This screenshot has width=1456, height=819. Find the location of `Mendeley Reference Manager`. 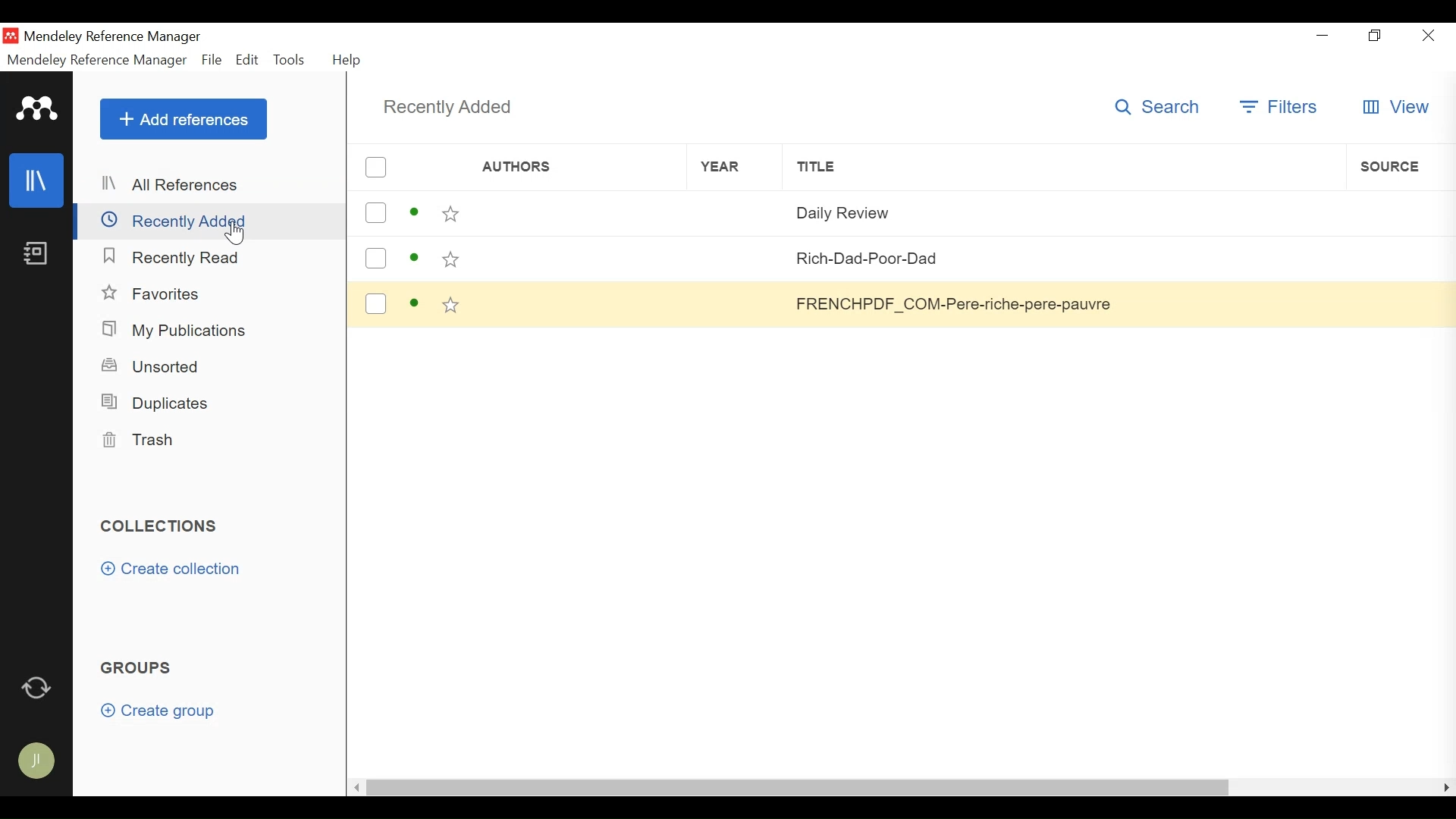

Mendeley Reference Manager is located at coordinates (98, 61).